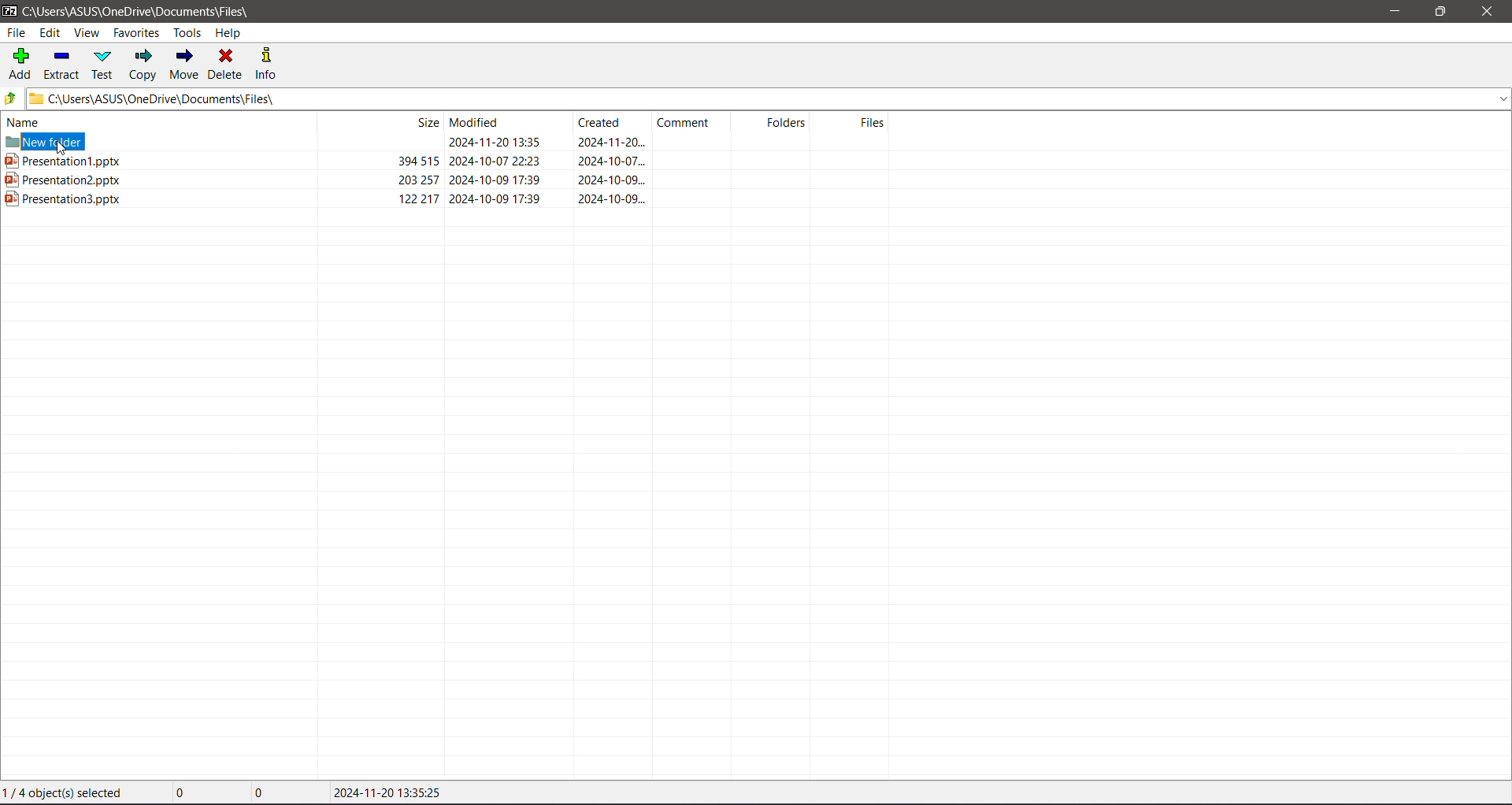 The height and width of the screenshot is (805, 1512). Describe the element at coordinates (186, 33) in the screenshot. I see `Tools` at that location.